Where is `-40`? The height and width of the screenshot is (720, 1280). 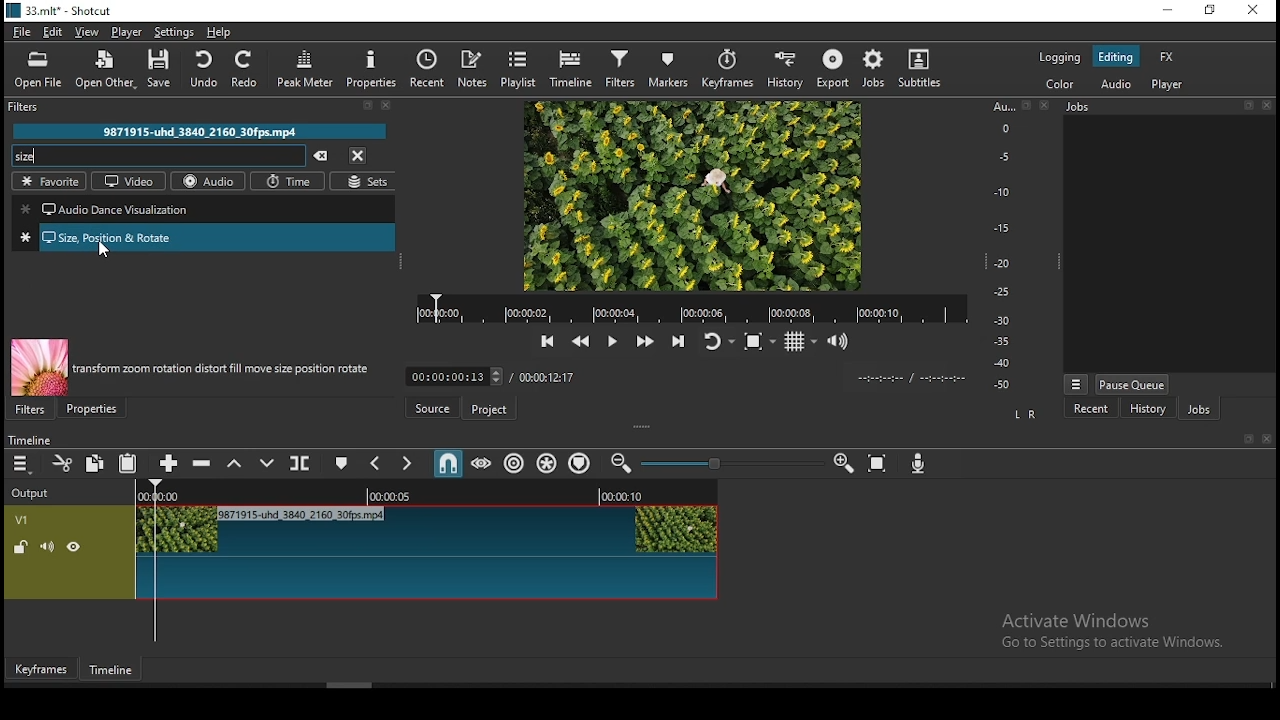
-40 is located at coordinates (1004, 362).